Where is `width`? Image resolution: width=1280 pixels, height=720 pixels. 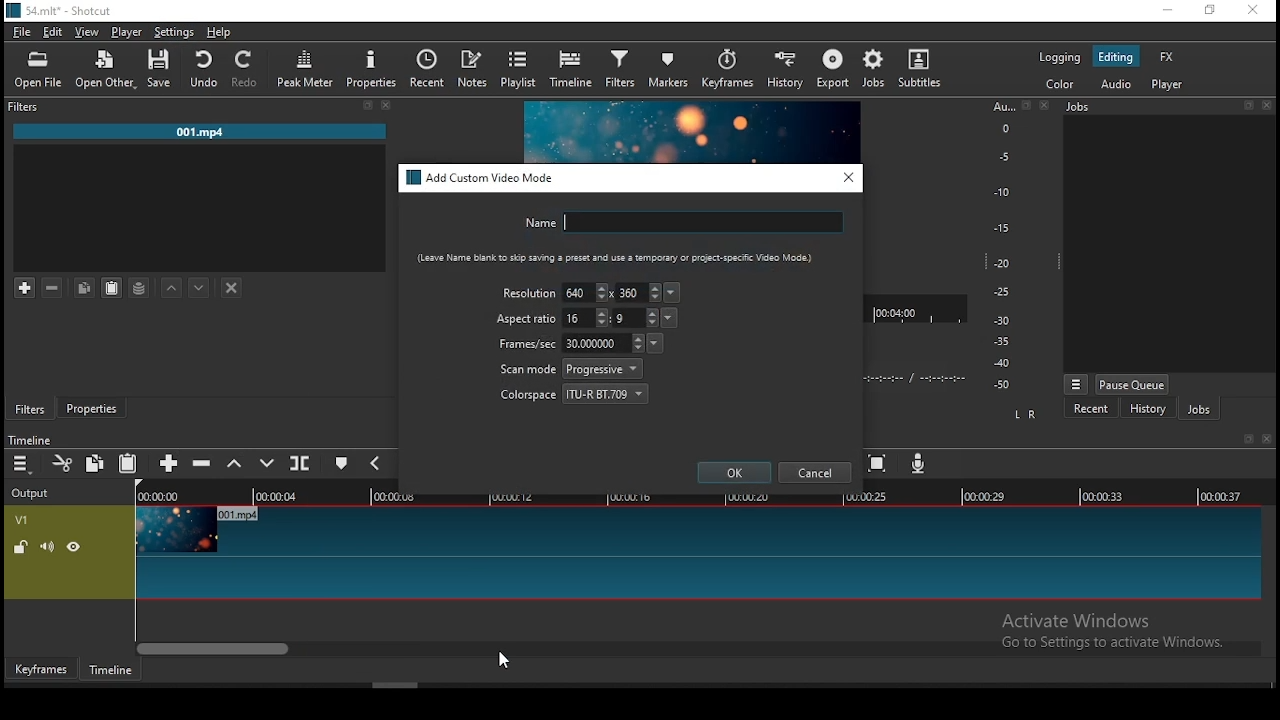 width is located at coordinates (586, 318).